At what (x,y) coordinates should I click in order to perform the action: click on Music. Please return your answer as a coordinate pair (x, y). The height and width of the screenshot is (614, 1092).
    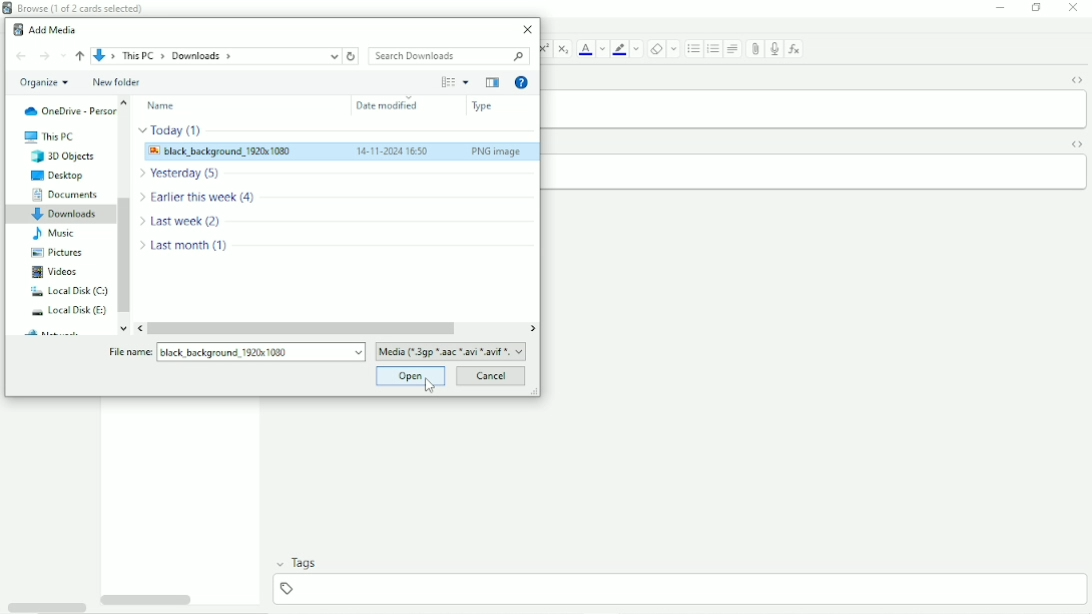
    Looking at the image, I should click on (57, 234).